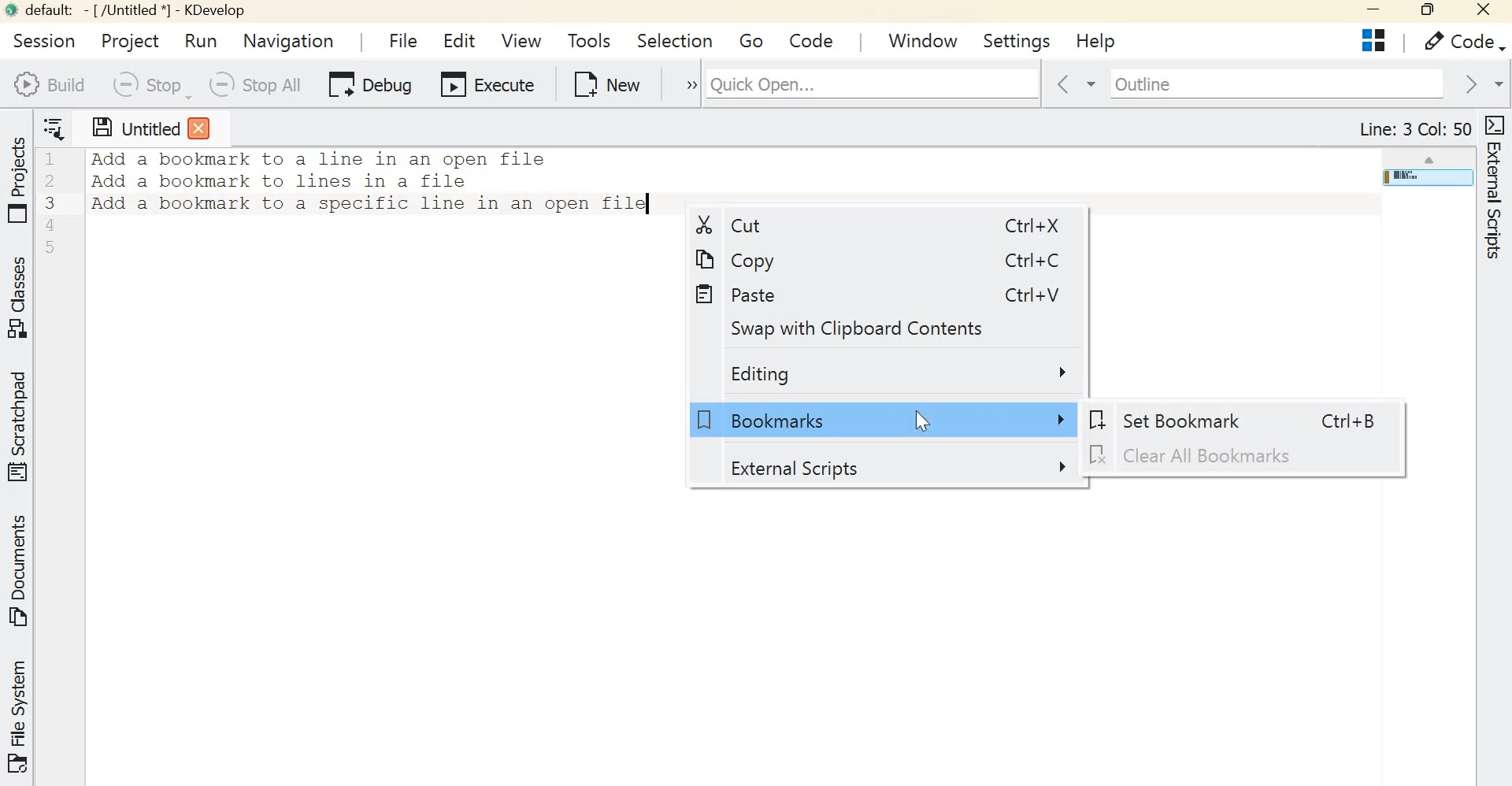  What do you see at coordinates (922, 421) in the screenshot?
I see `cursor` at bounding box center [922, 421].